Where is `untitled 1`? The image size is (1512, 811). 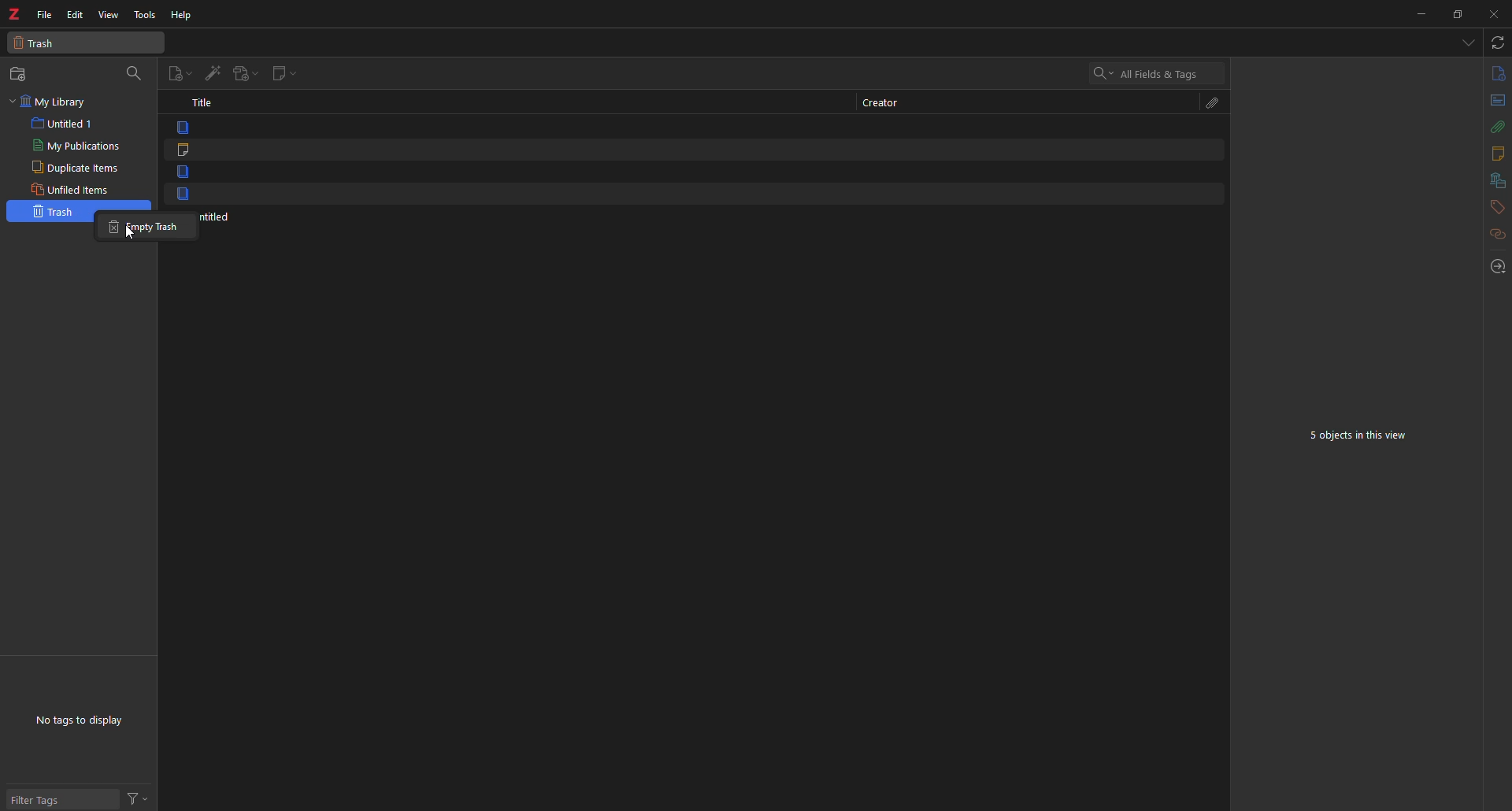 untitled 1 is located at coordinates (65, 124).